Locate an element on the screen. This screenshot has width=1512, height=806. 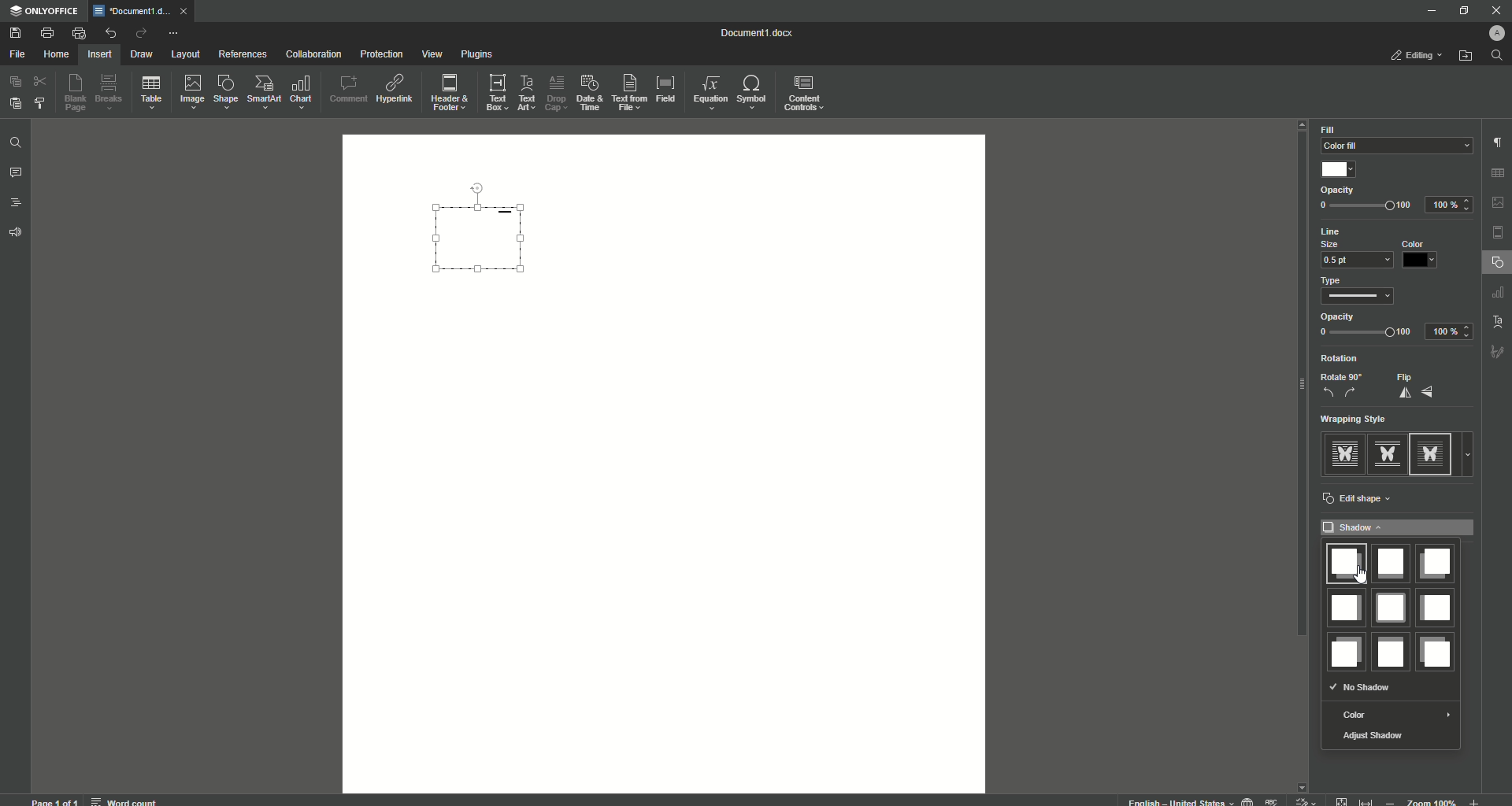
Scroll is located at coordinates (1299, 394).